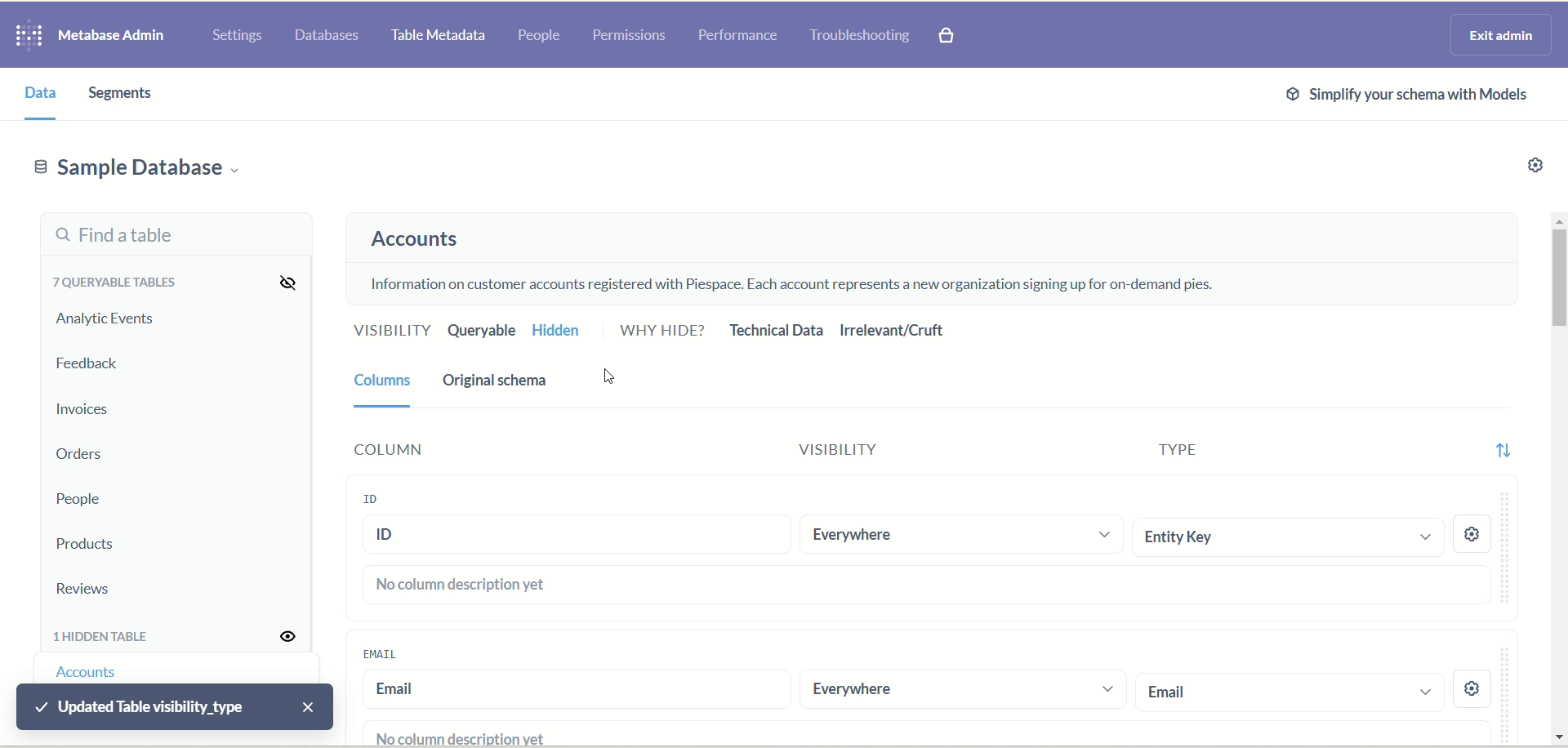 The width and height of the screenshot is (1568, 748). What do you see at coordinates (175, 709) in the screenshot?
I see `updated table visibility type` at bounding box center [175, 709].